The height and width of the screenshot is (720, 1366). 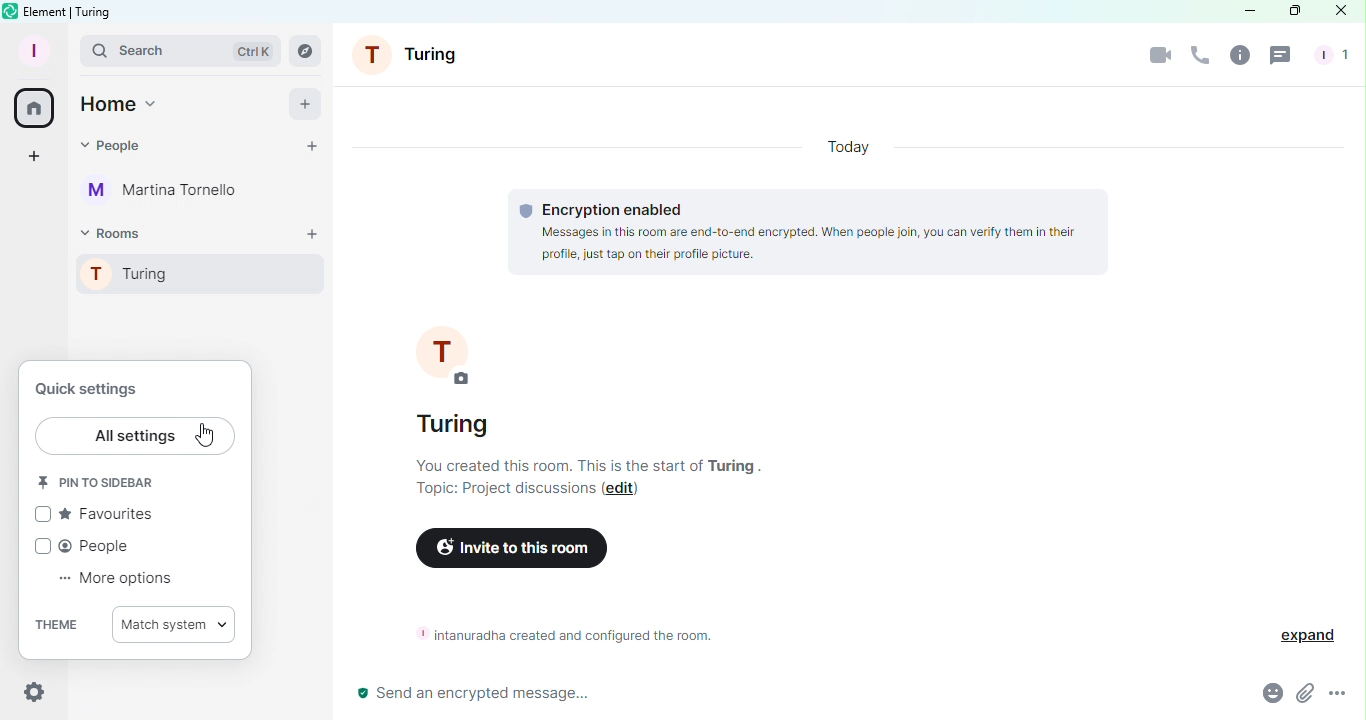 I want to click on People, so click(x=1328, y=57).